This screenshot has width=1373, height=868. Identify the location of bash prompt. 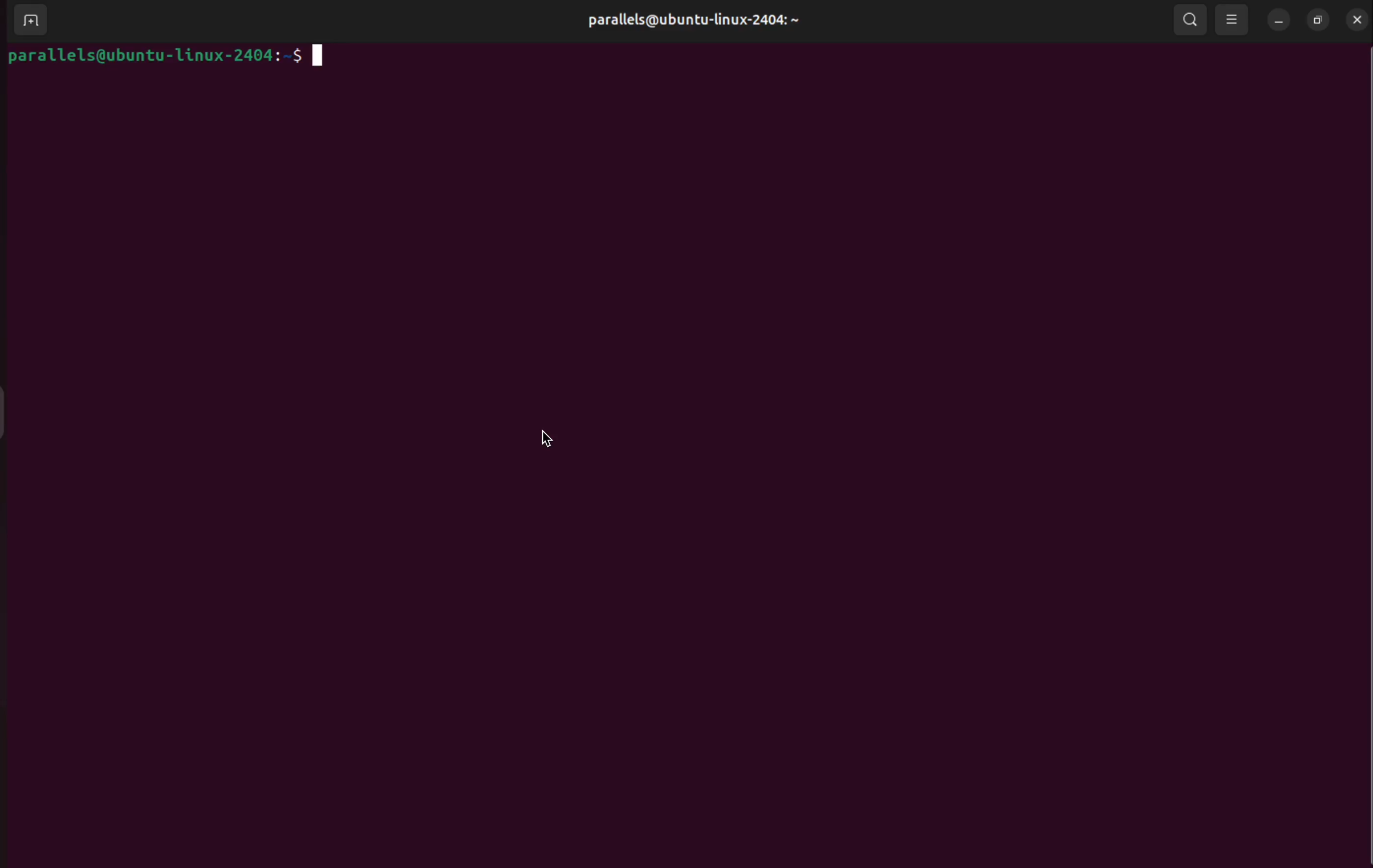
(170, 55).